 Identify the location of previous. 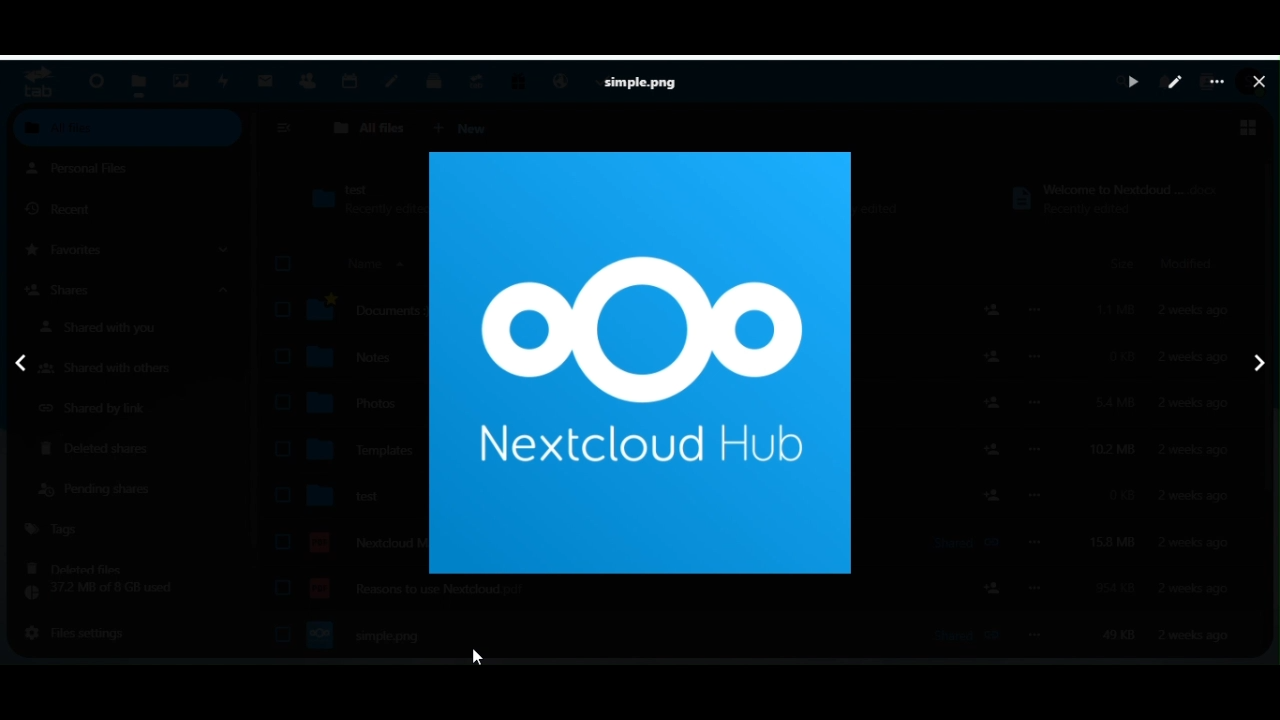
(18, 361).